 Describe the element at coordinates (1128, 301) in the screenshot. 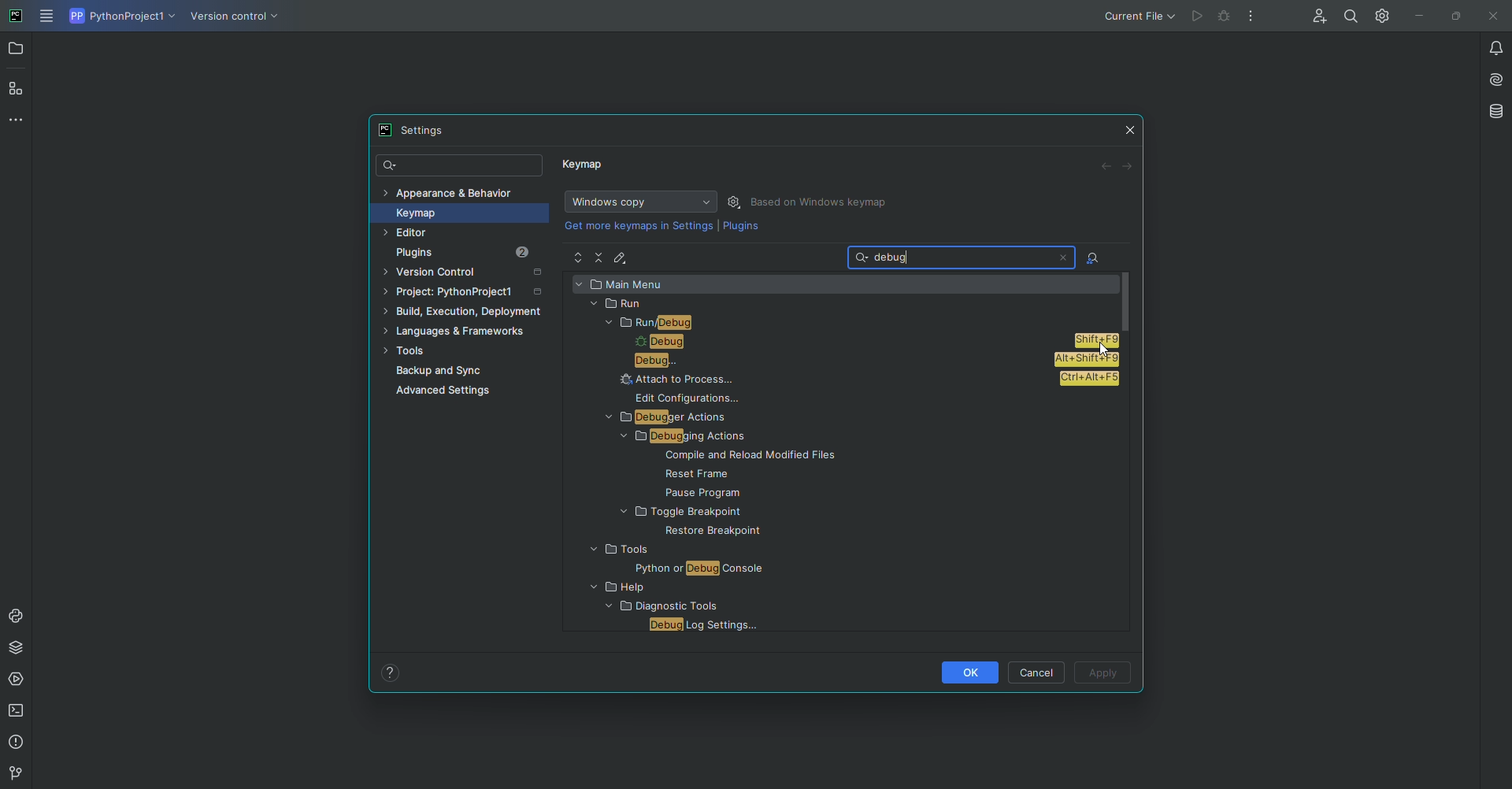

I see `scroll bar` at that location.